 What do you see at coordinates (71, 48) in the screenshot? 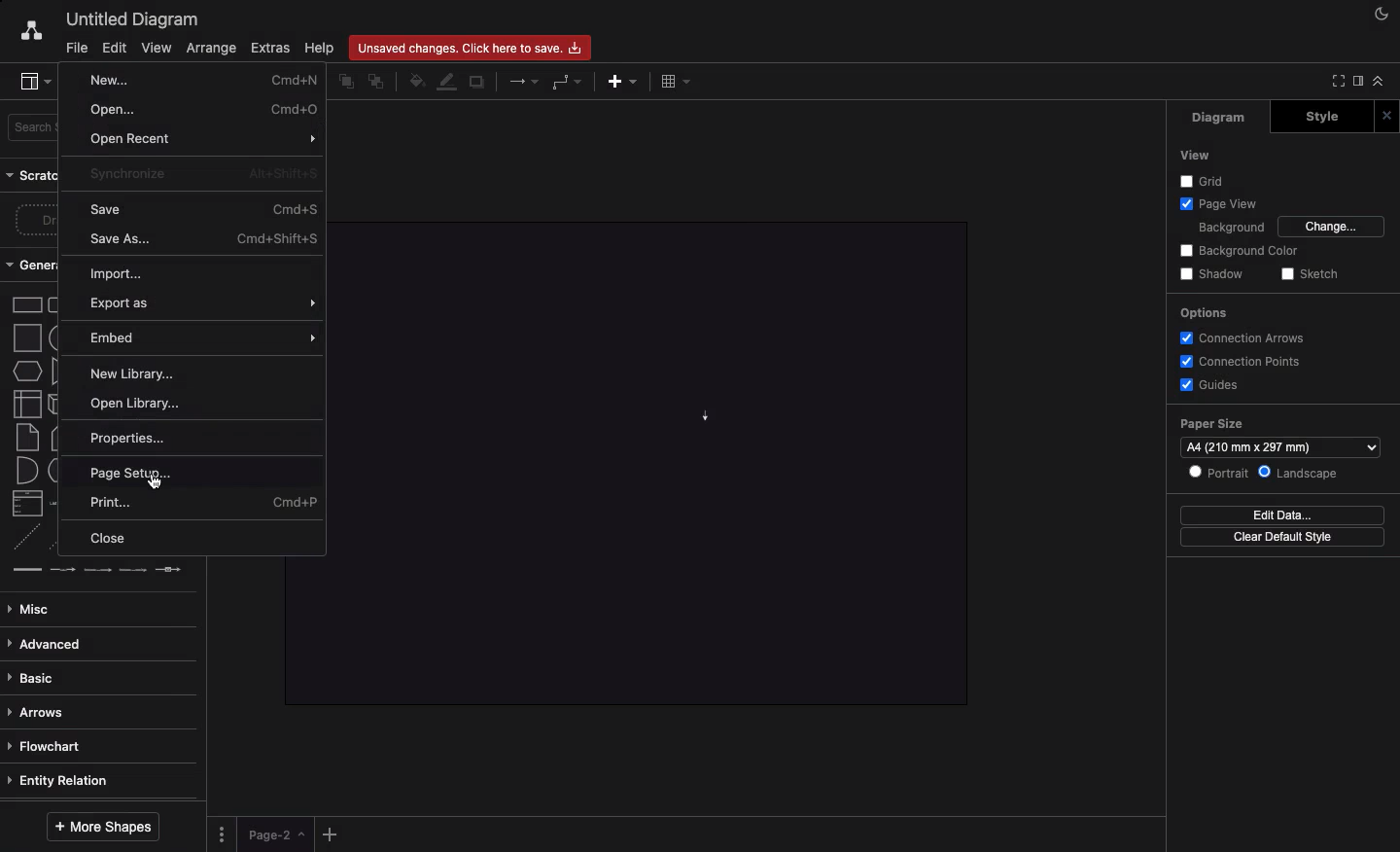
I see `File` at bounding box center [71, 48].